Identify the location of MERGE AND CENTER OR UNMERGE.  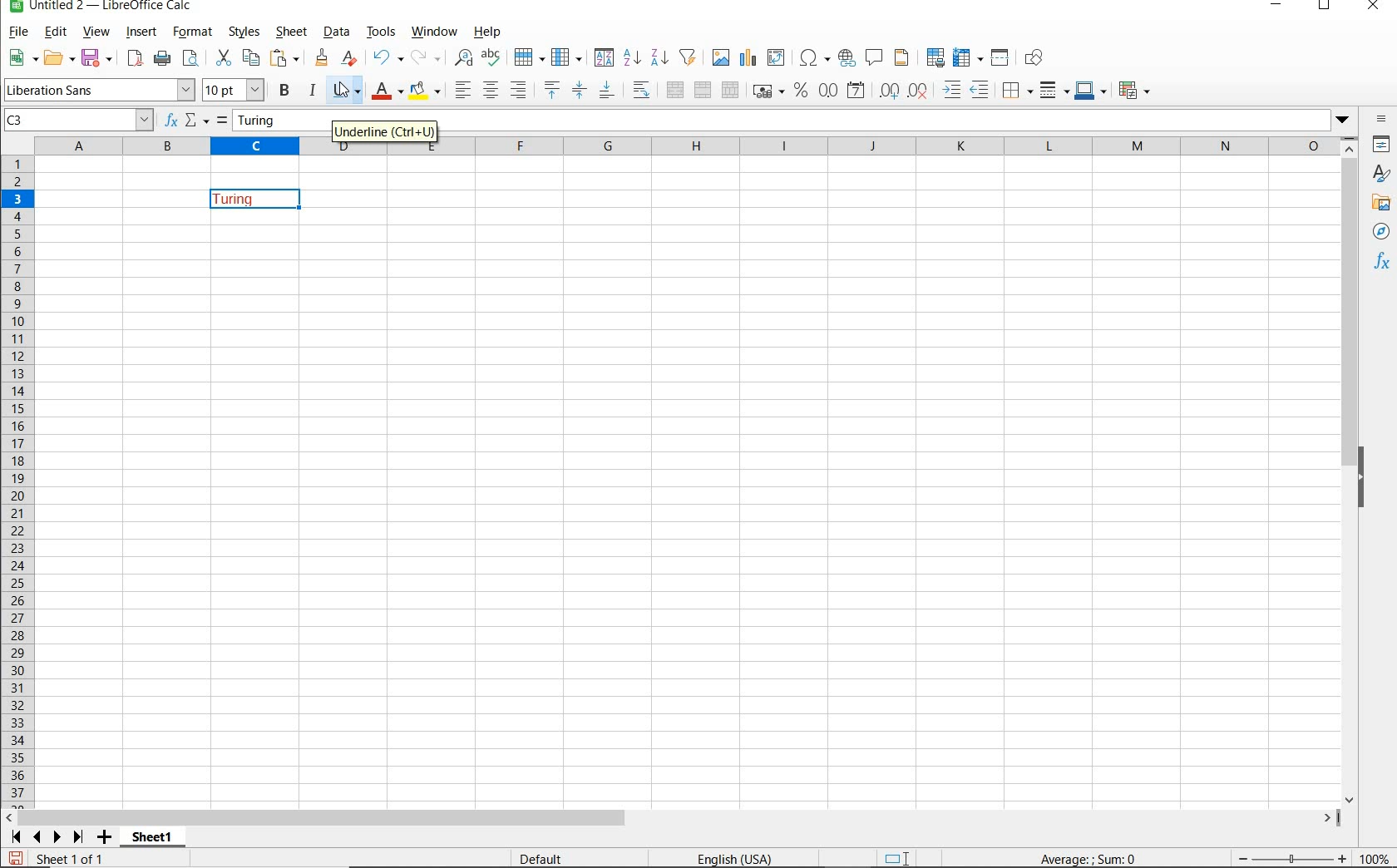
(676, 90).